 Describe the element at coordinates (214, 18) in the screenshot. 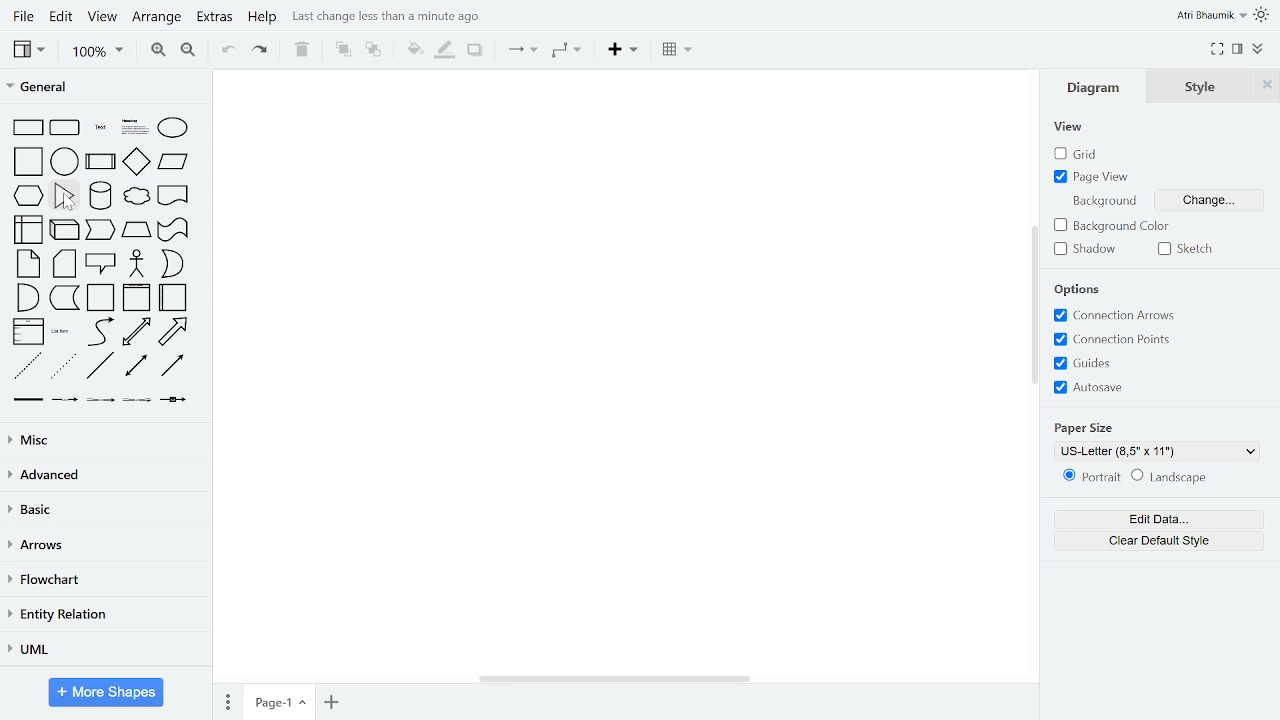

I see `extras` at that location.